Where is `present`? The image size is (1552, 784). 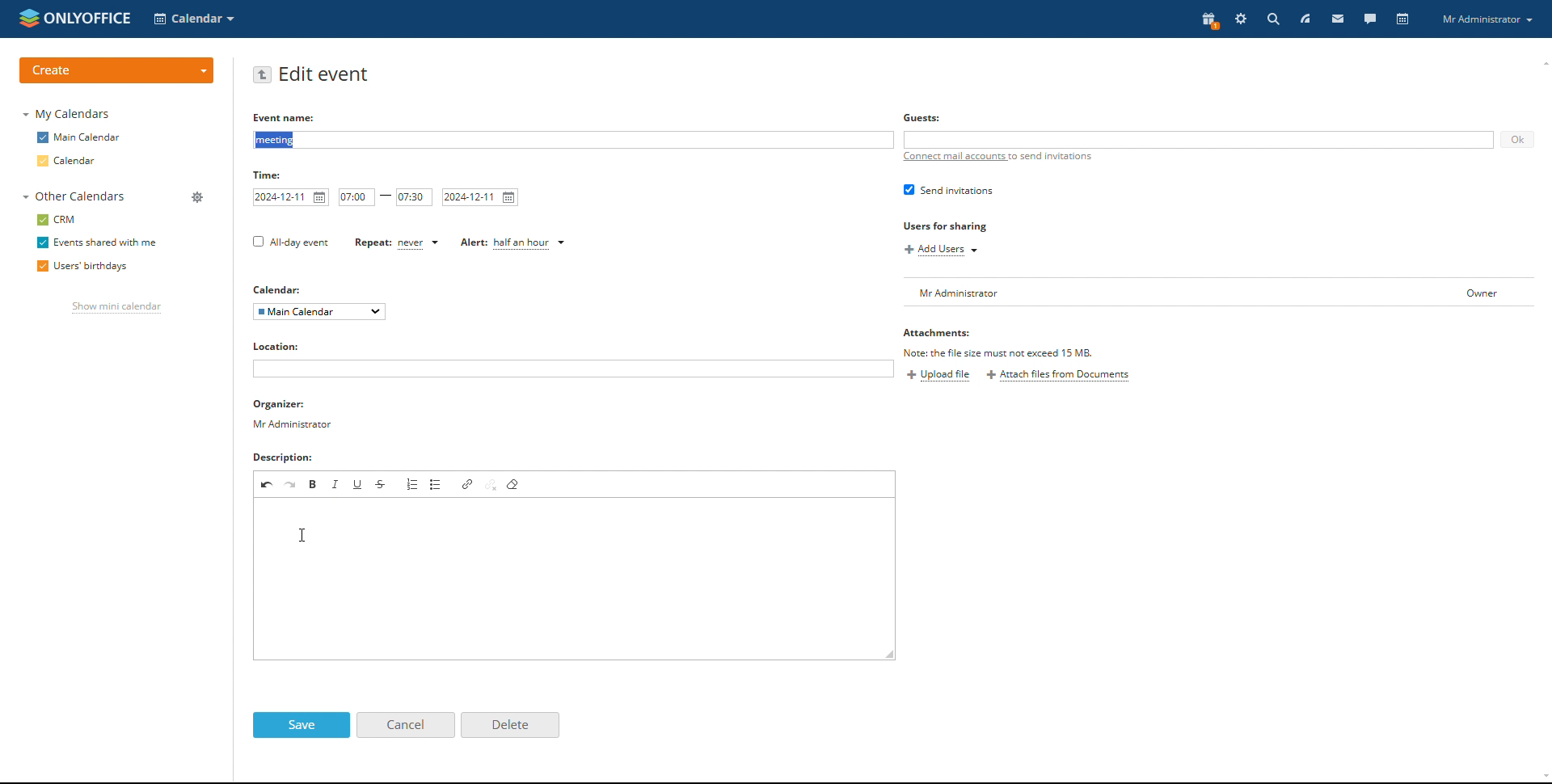
present is located at coordinates (1209, 19).